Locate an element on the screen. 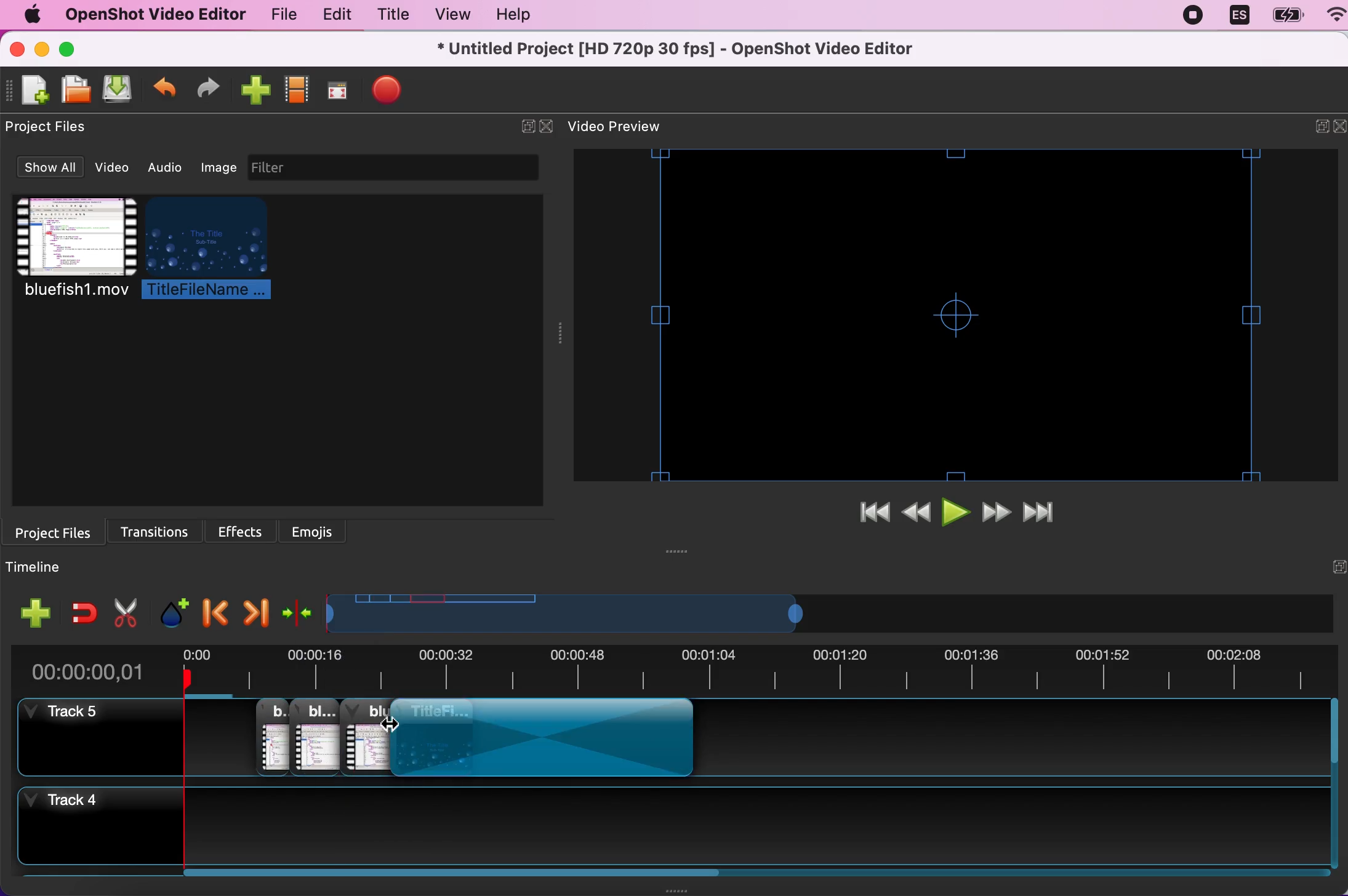 The height and width of the screenshot is (896, 1348). video preview is located at coordinates (960, 315).